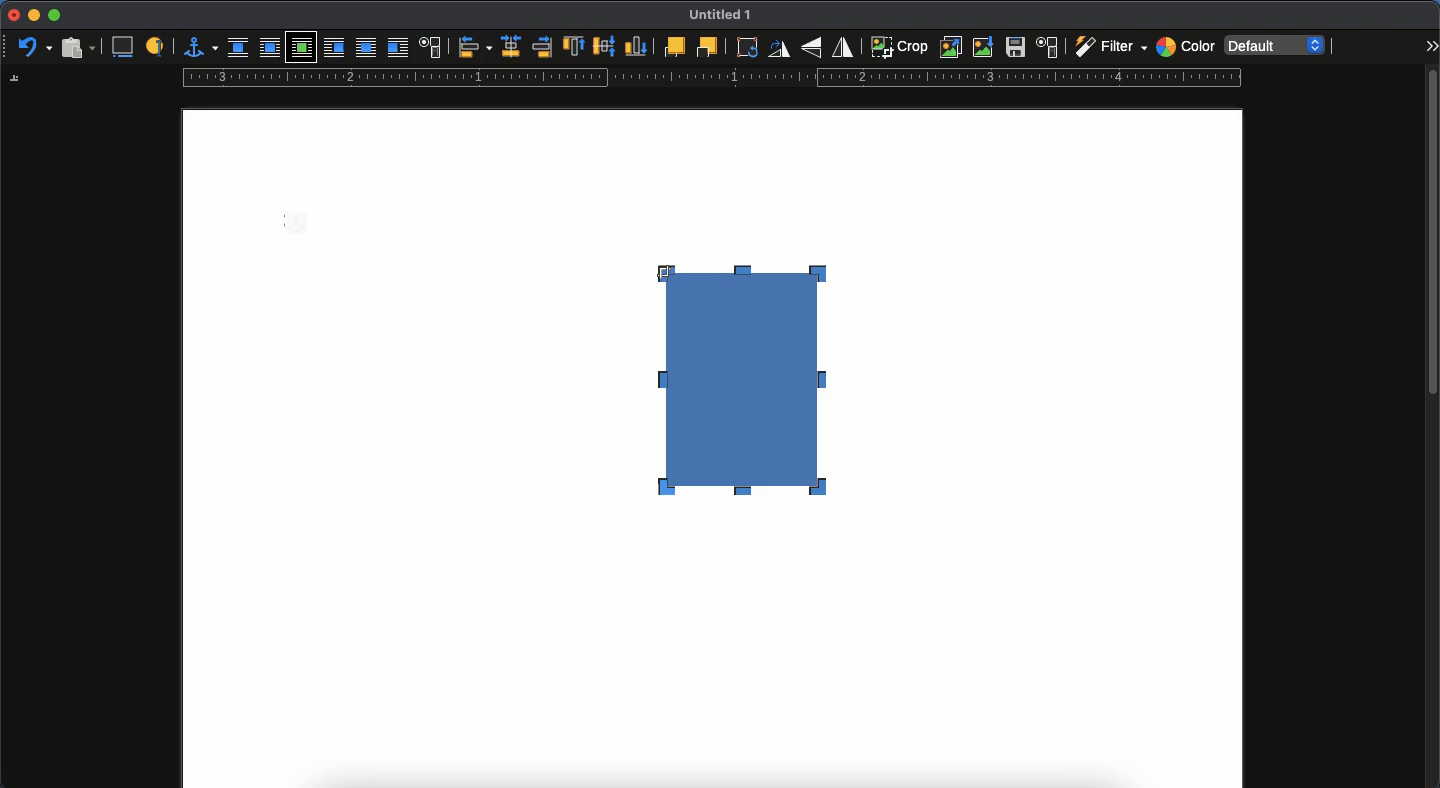 The image size is (1440, 788). What do you see at coordinates (1048, 47) in the screenshot?
I see `image properties` at bounding box center [1048, 47].